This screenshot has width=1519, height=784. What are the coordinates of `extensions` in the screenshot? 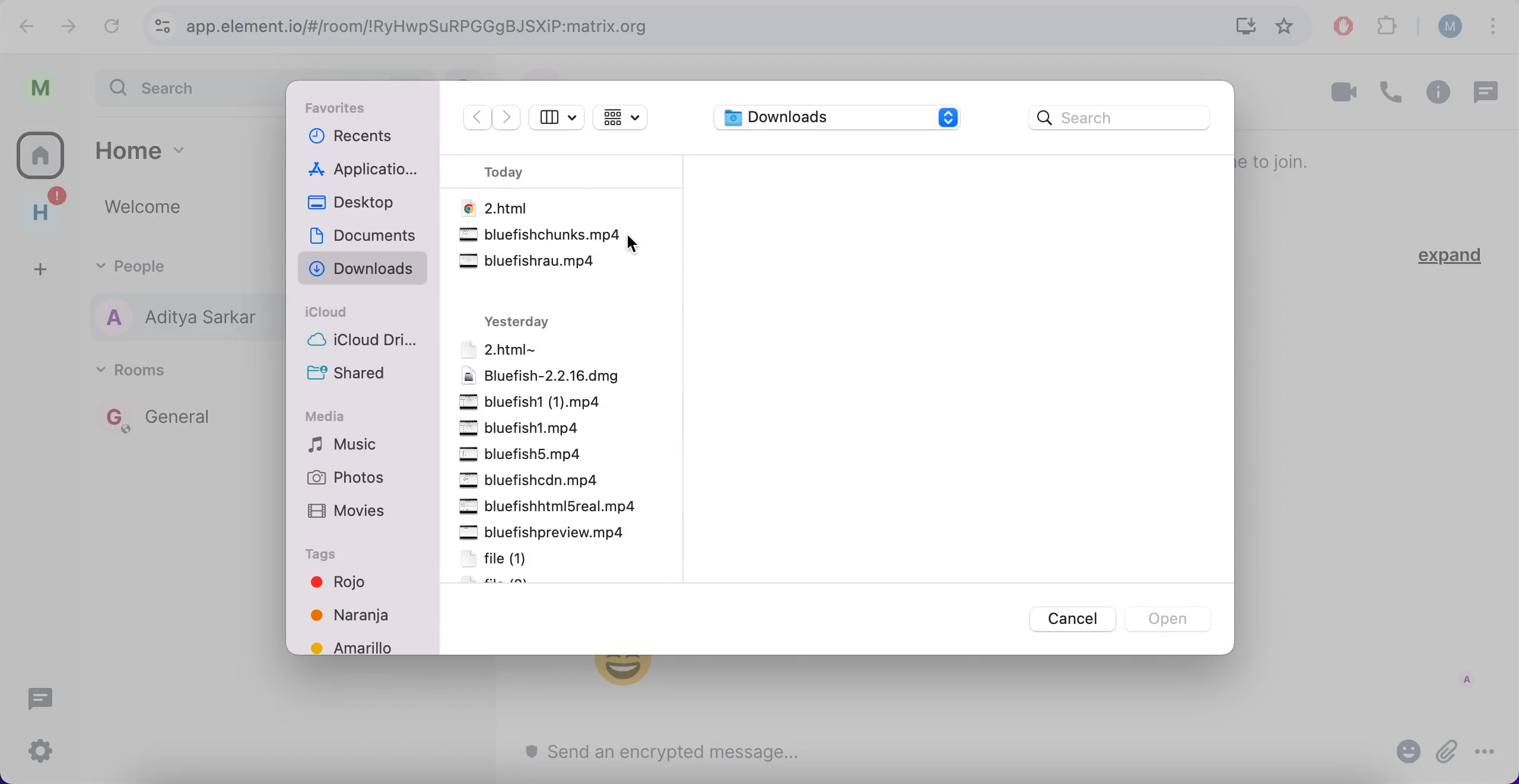 It's located at (1390, 25).